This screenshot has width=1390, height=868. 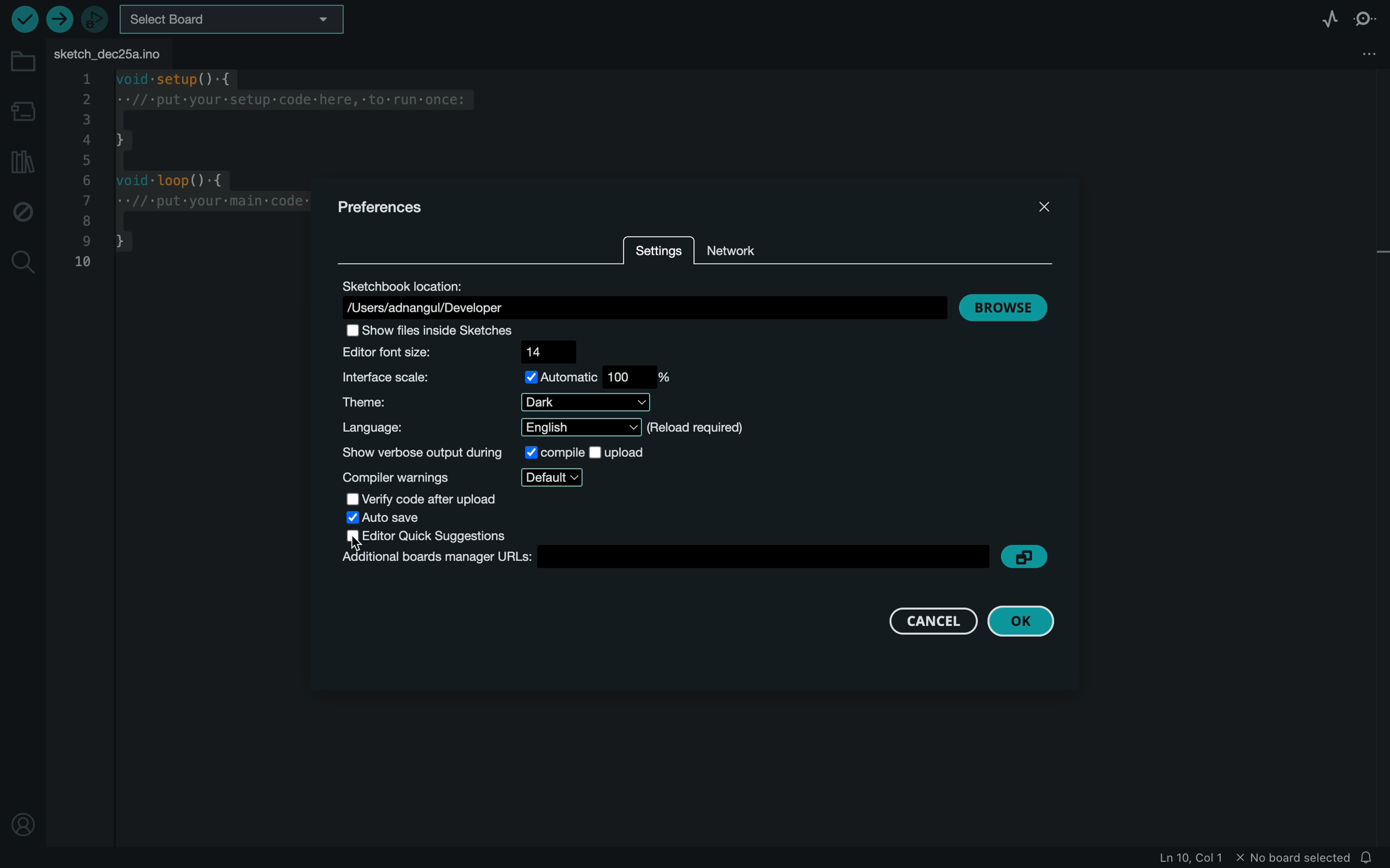 What do you see at coordinates (1020, 623) in the screenshot?
I see `ok` at bounding box center [1020, 623].